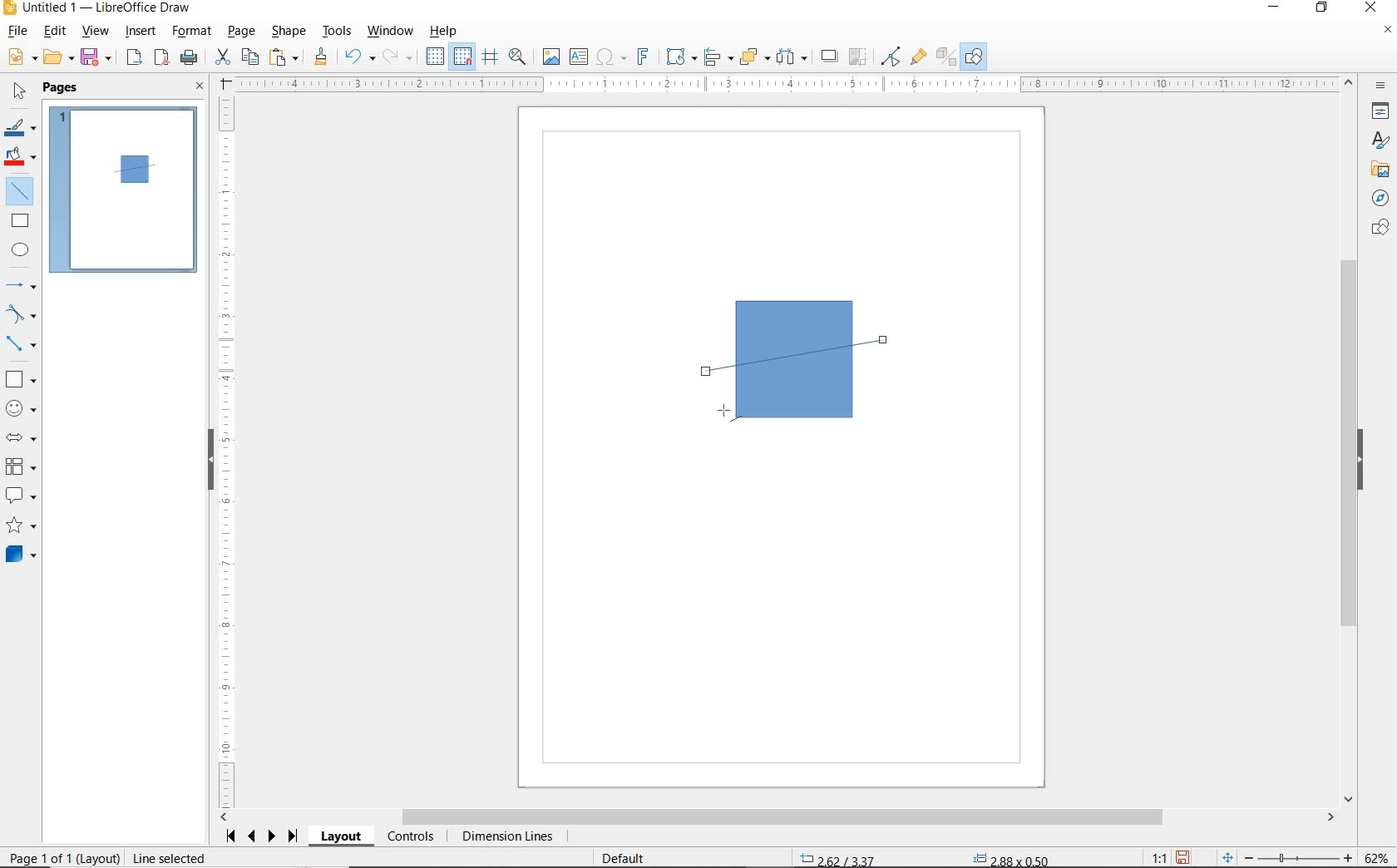  Describe the element at coordinates (289, 32) in the screenshot. I see `SHAPE` at that location.